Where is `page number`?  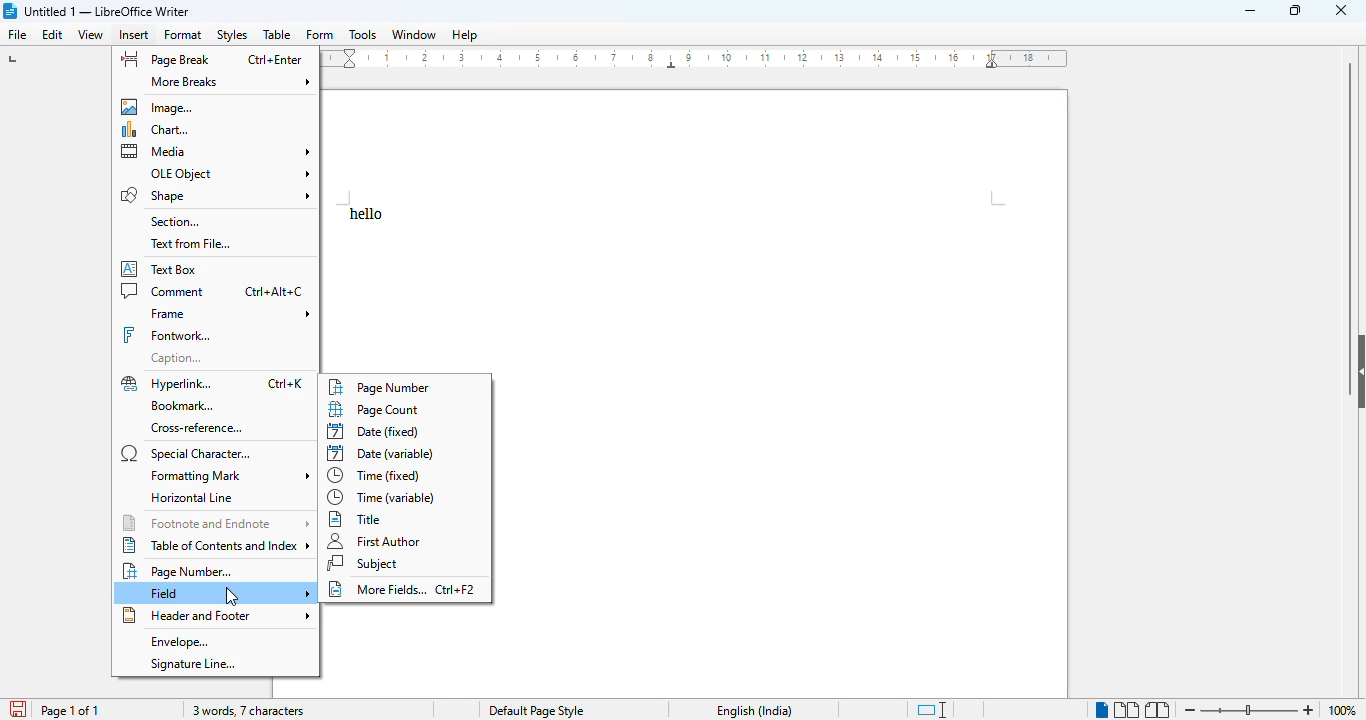 page number is located at coordinates (383, 386).